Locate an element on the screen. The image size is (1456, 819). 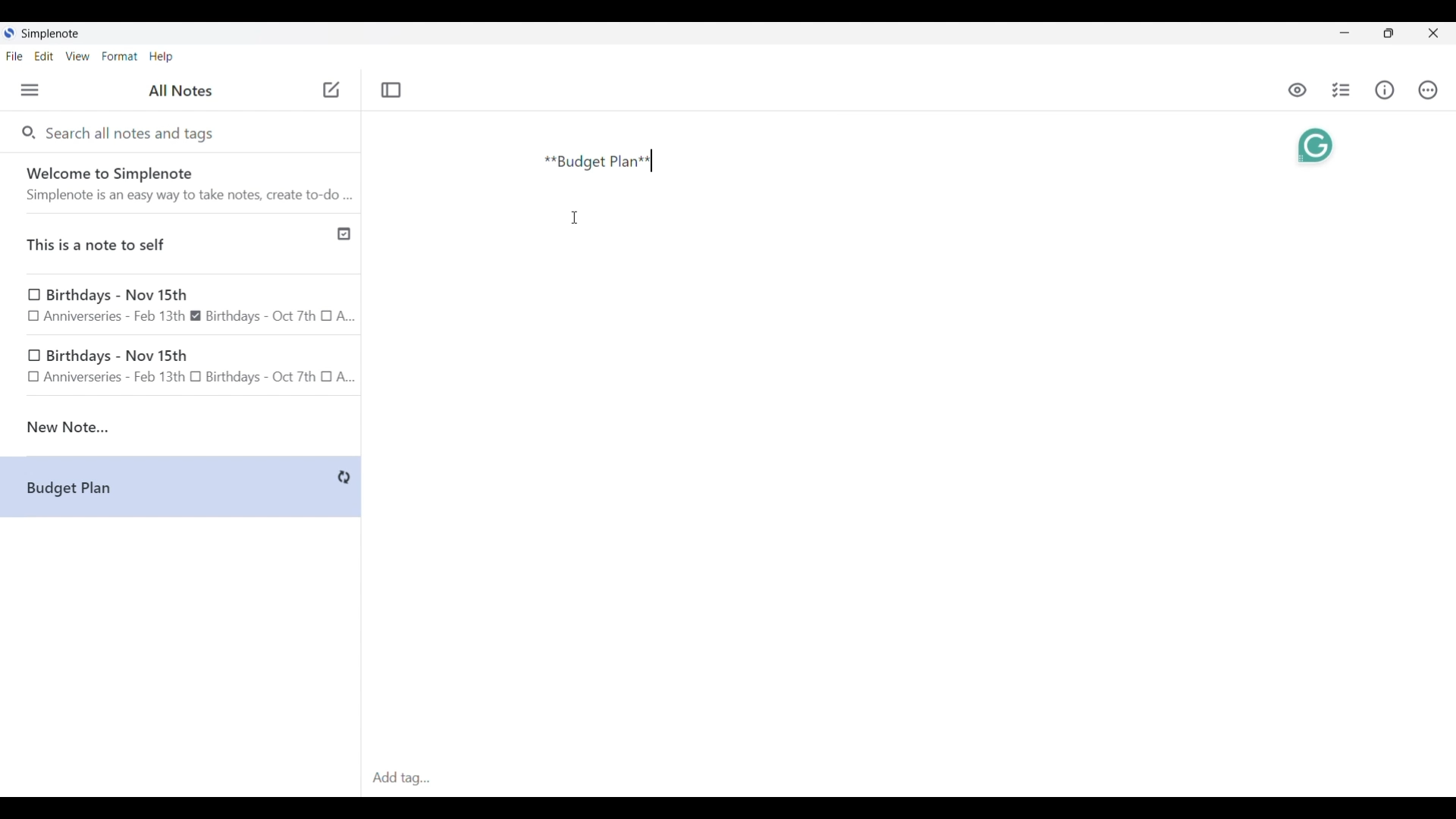
Menu is located at coordinates (30, 89).